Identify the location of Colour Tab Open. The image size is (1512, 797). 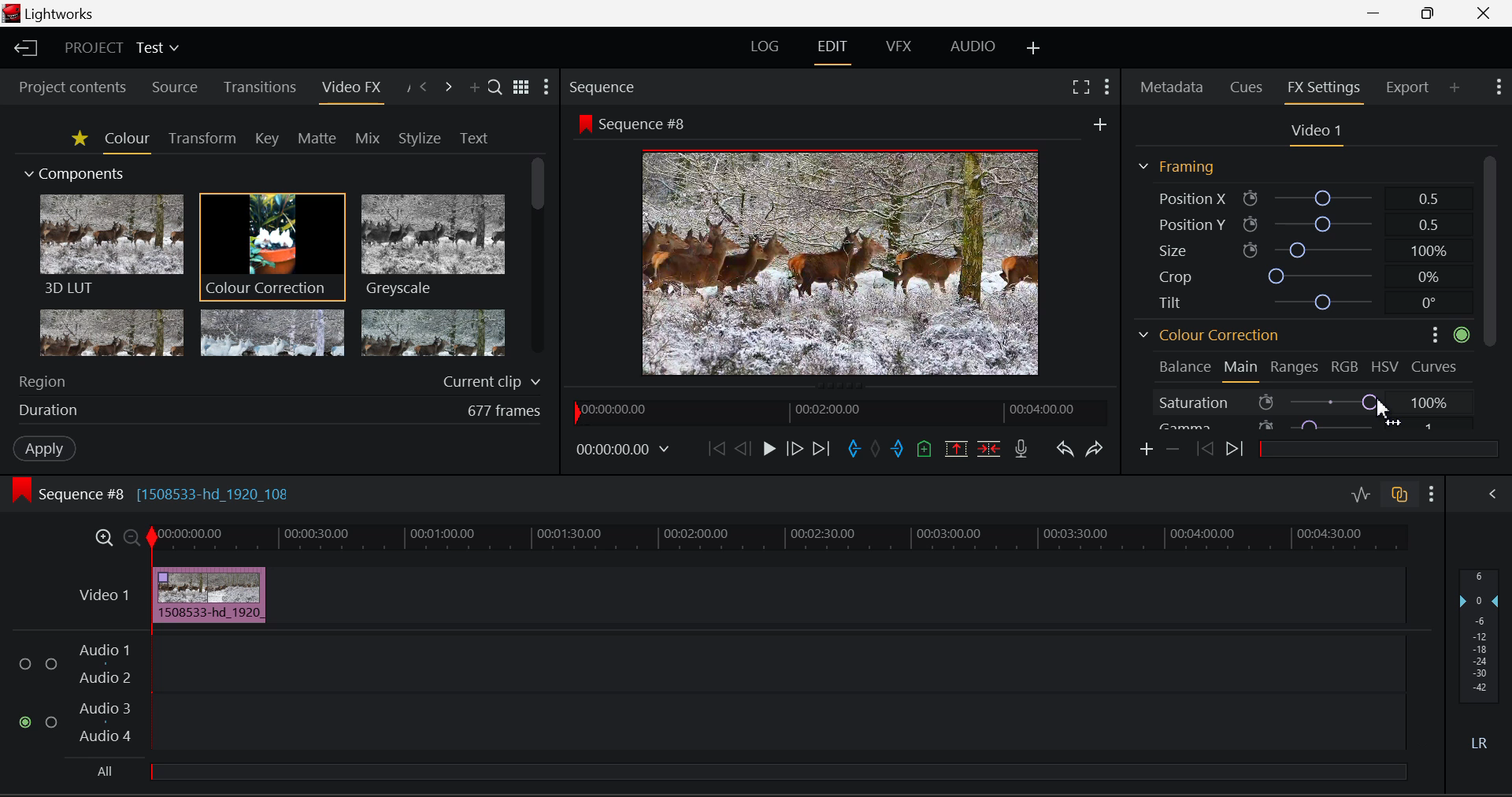
(127, 140).